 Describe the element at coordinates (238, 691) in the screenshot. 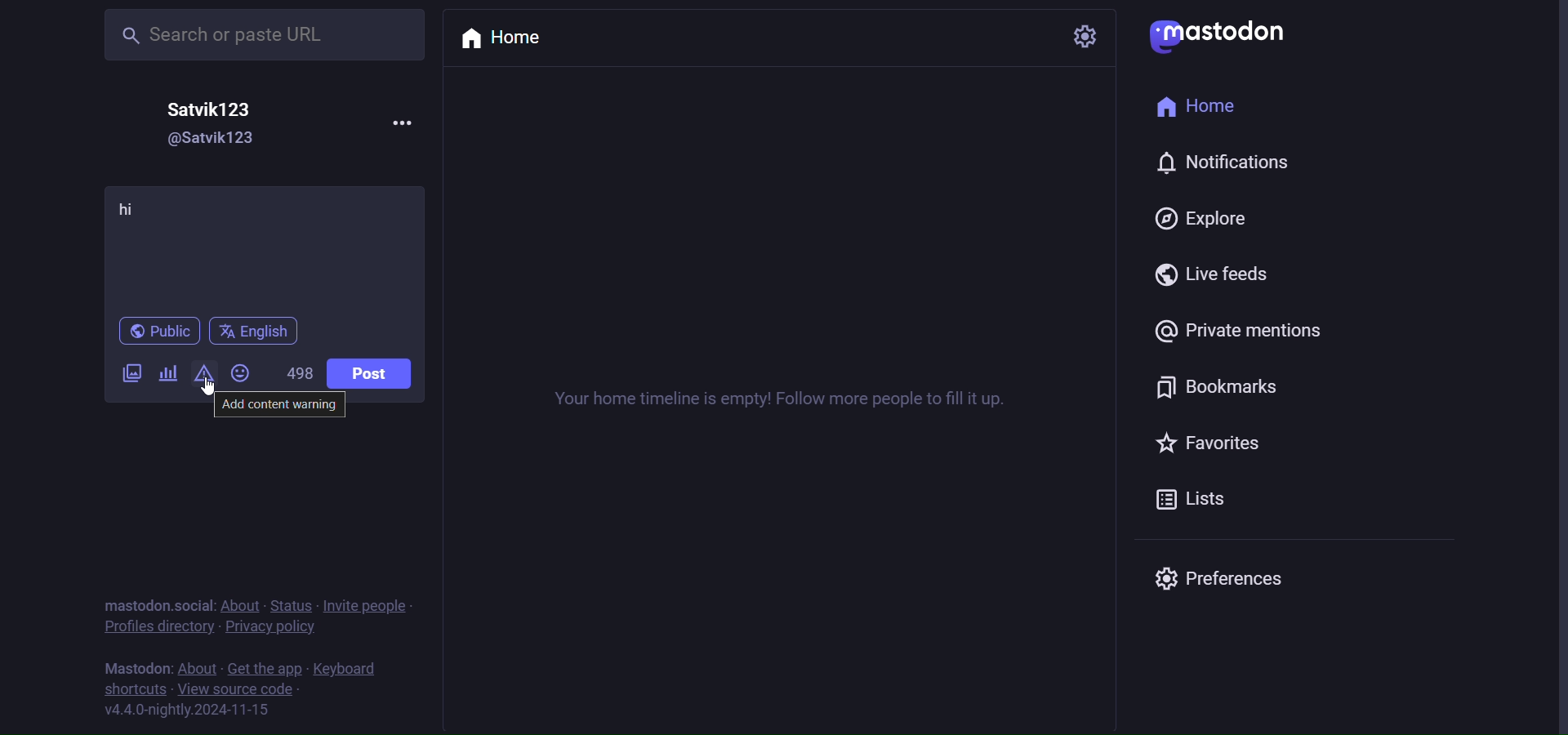

I see `source code` at that location.